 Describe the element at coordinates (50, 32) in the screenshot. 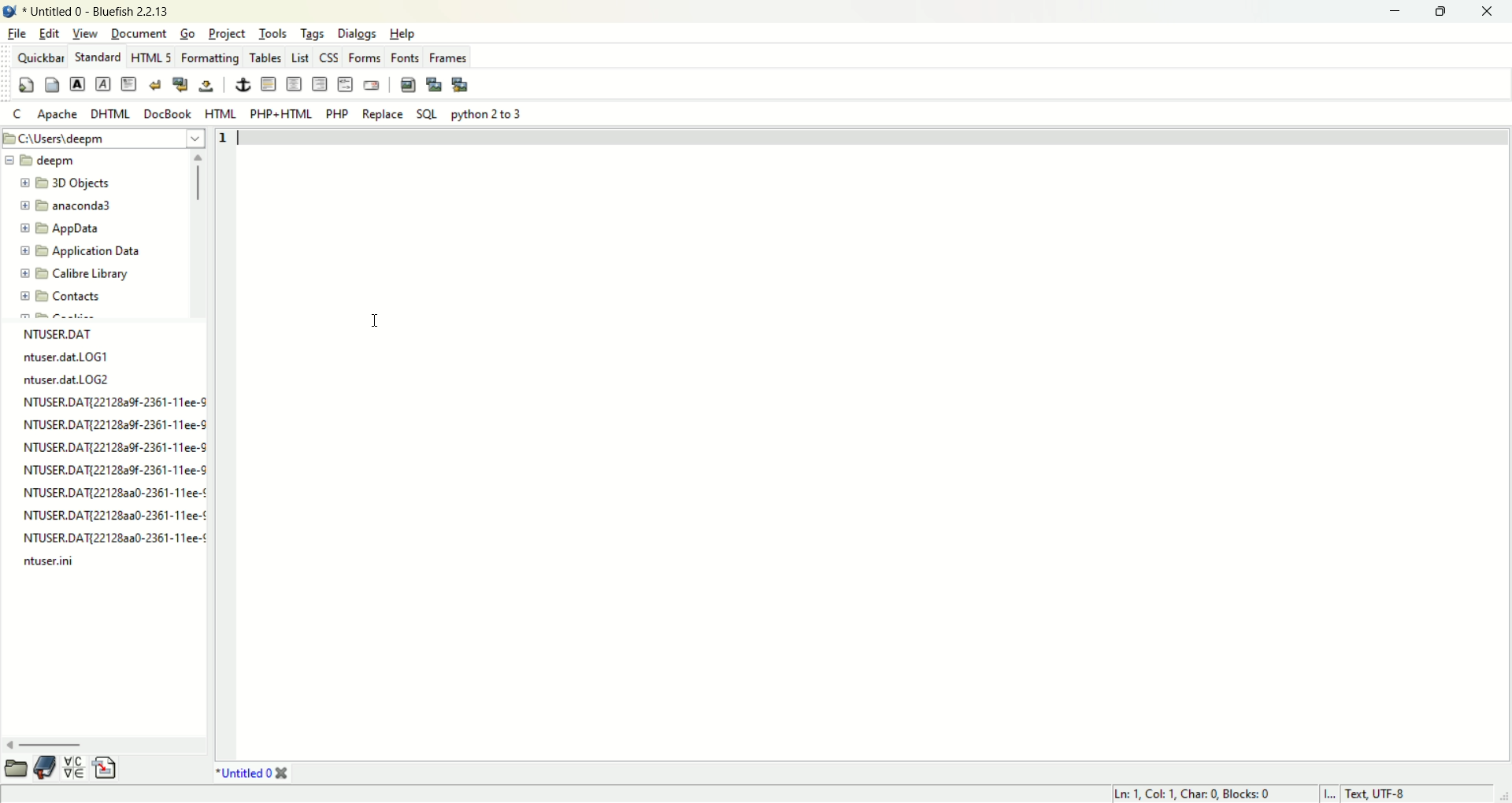

I see `edit` at that location.